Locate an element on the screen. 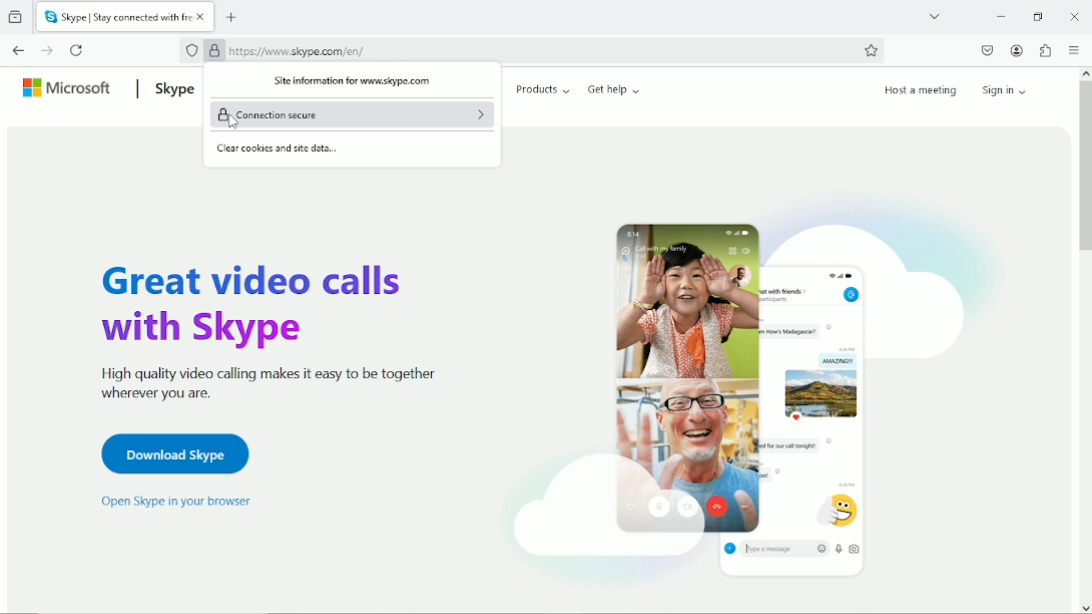 Image resolution: width=1092 pixels, height=614 pixels. close tab is located at coordinates (203, 17).